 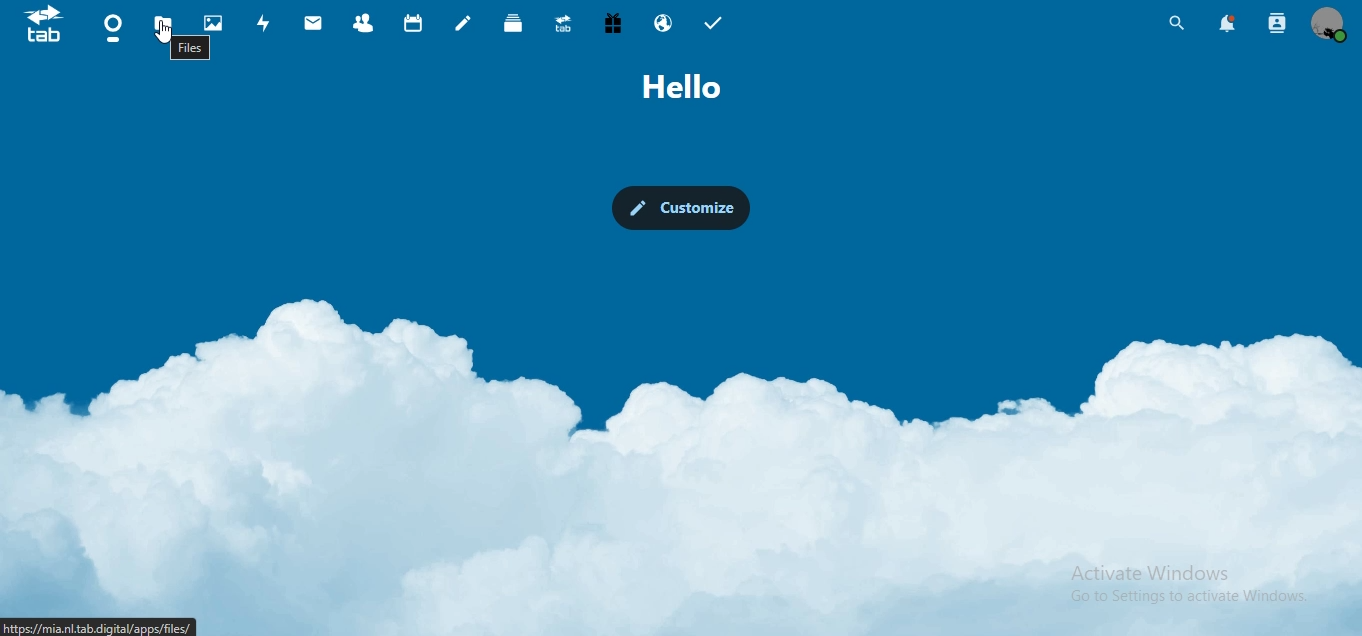 What do you see at coordinates (664, 25) in the screenshot?
I see `email hosting` at bounding box center [664, 25].